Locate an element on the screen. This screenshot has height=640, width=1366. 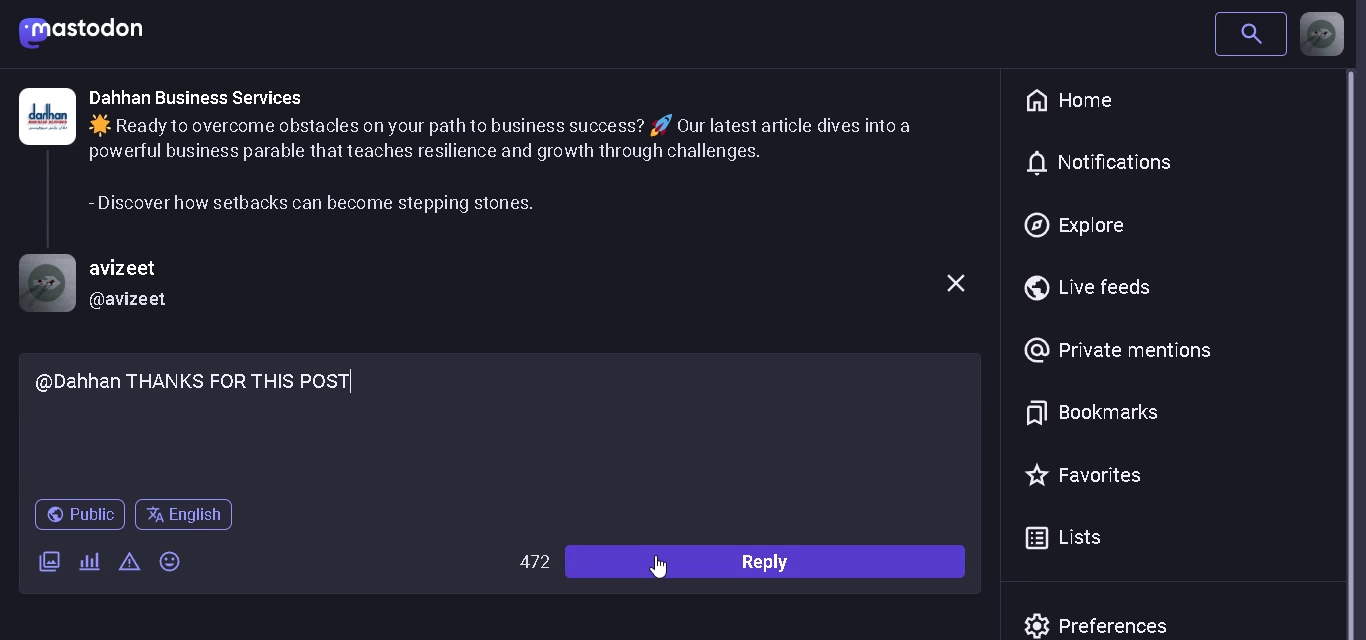
@username is located at coordinates (132, 300).